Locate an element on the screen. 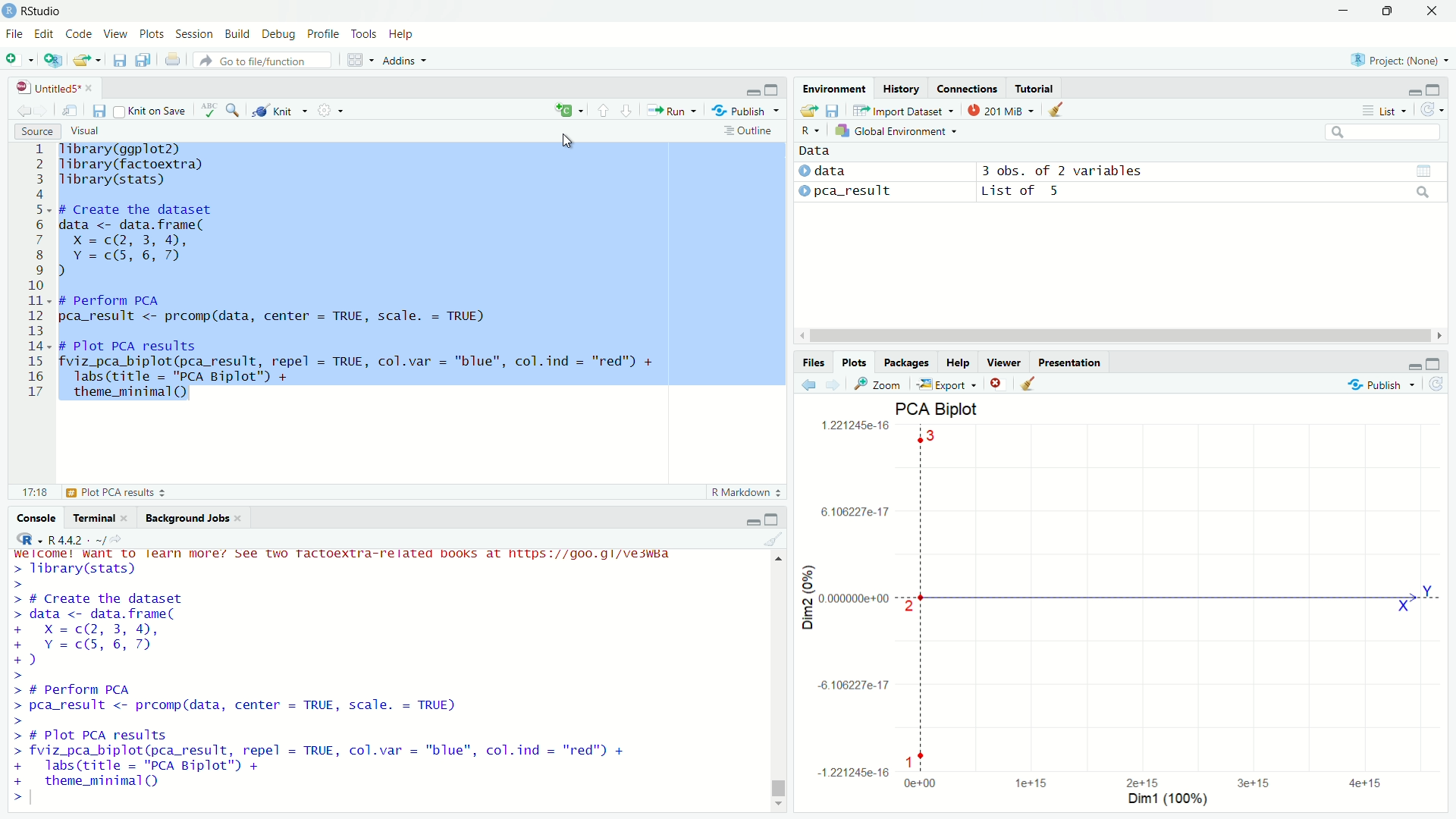 The width and height of the screenshot is (1456, 819). Packages is located at coordinates (908, 362).